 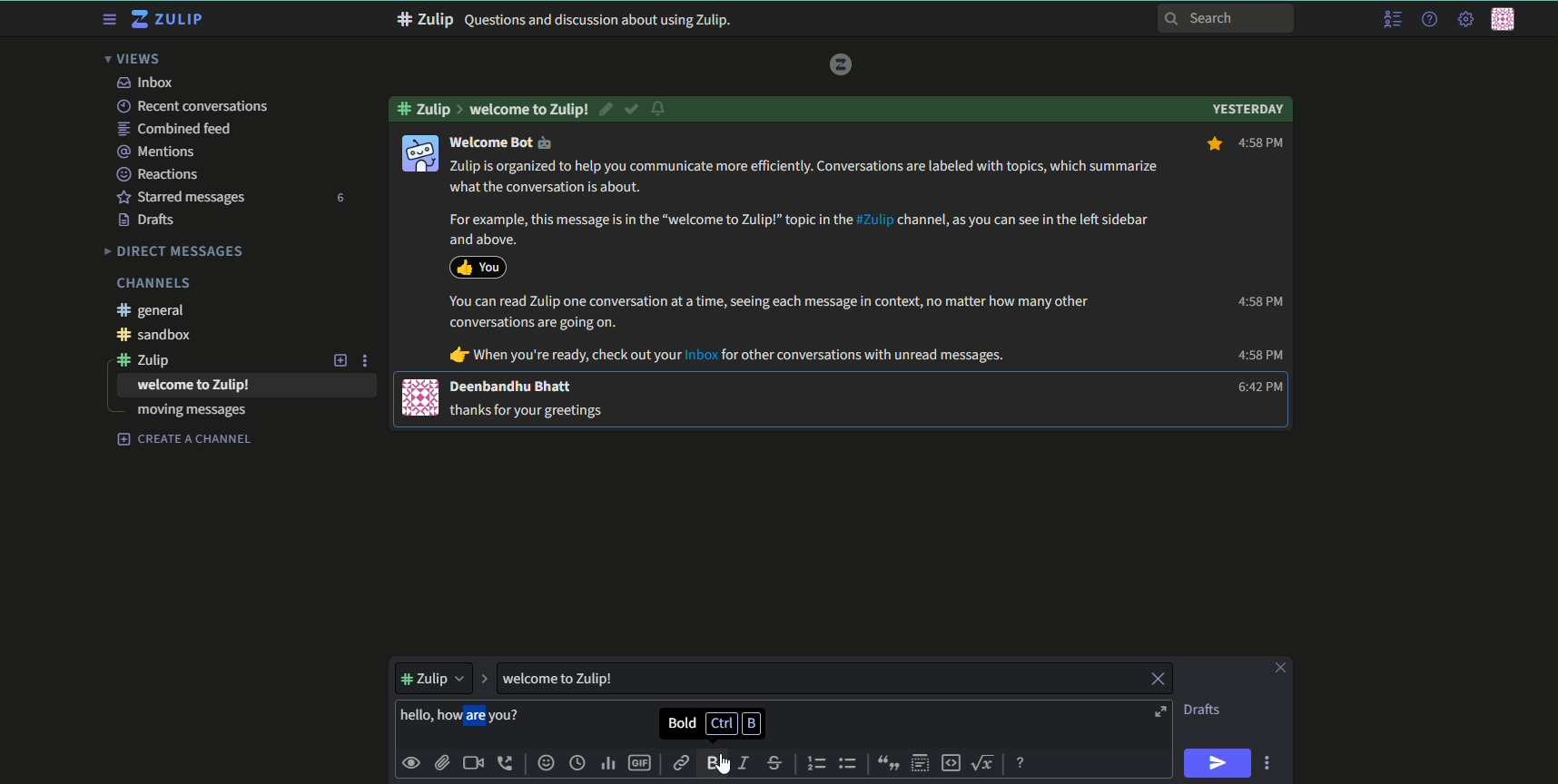 What do you see at coordinates (885, 763) in the screenshot?
I see `quote` at bounding box center [885, 763].